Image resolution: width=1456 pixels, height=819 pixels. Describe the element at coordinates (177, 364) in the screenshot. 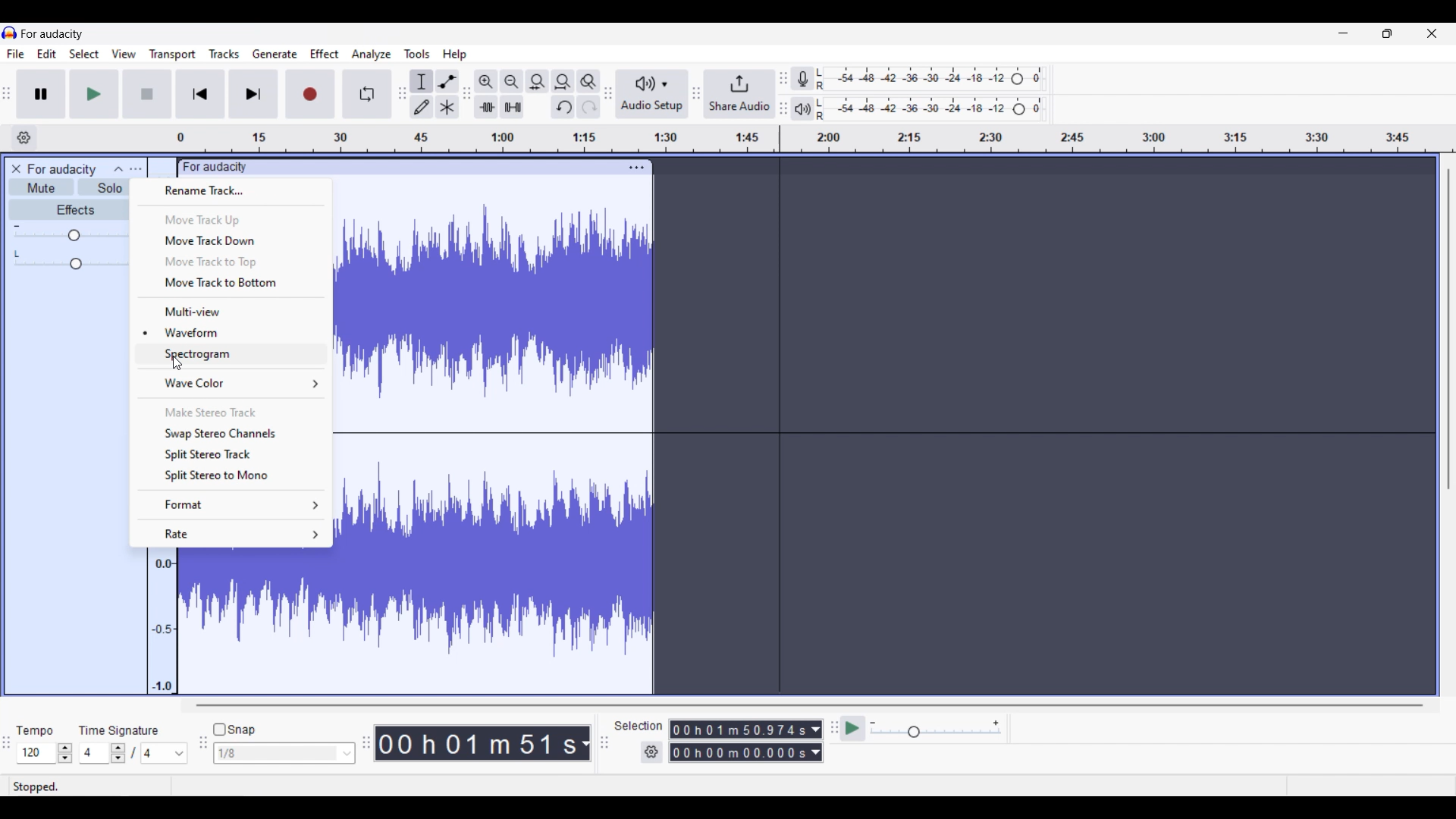

I see `Cursor` at that location.